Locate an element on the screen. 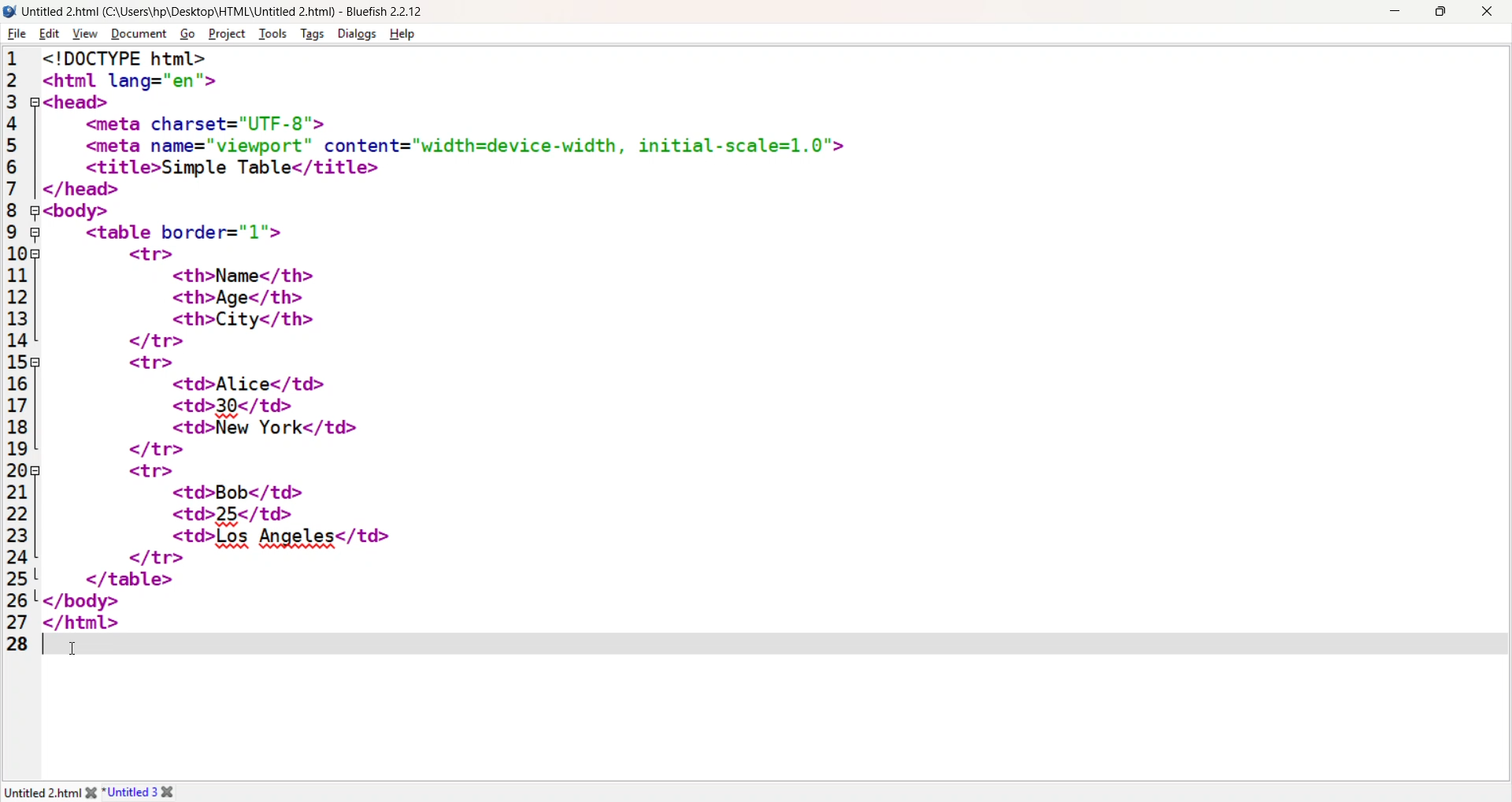  Document is located at coordinates (138, 35).